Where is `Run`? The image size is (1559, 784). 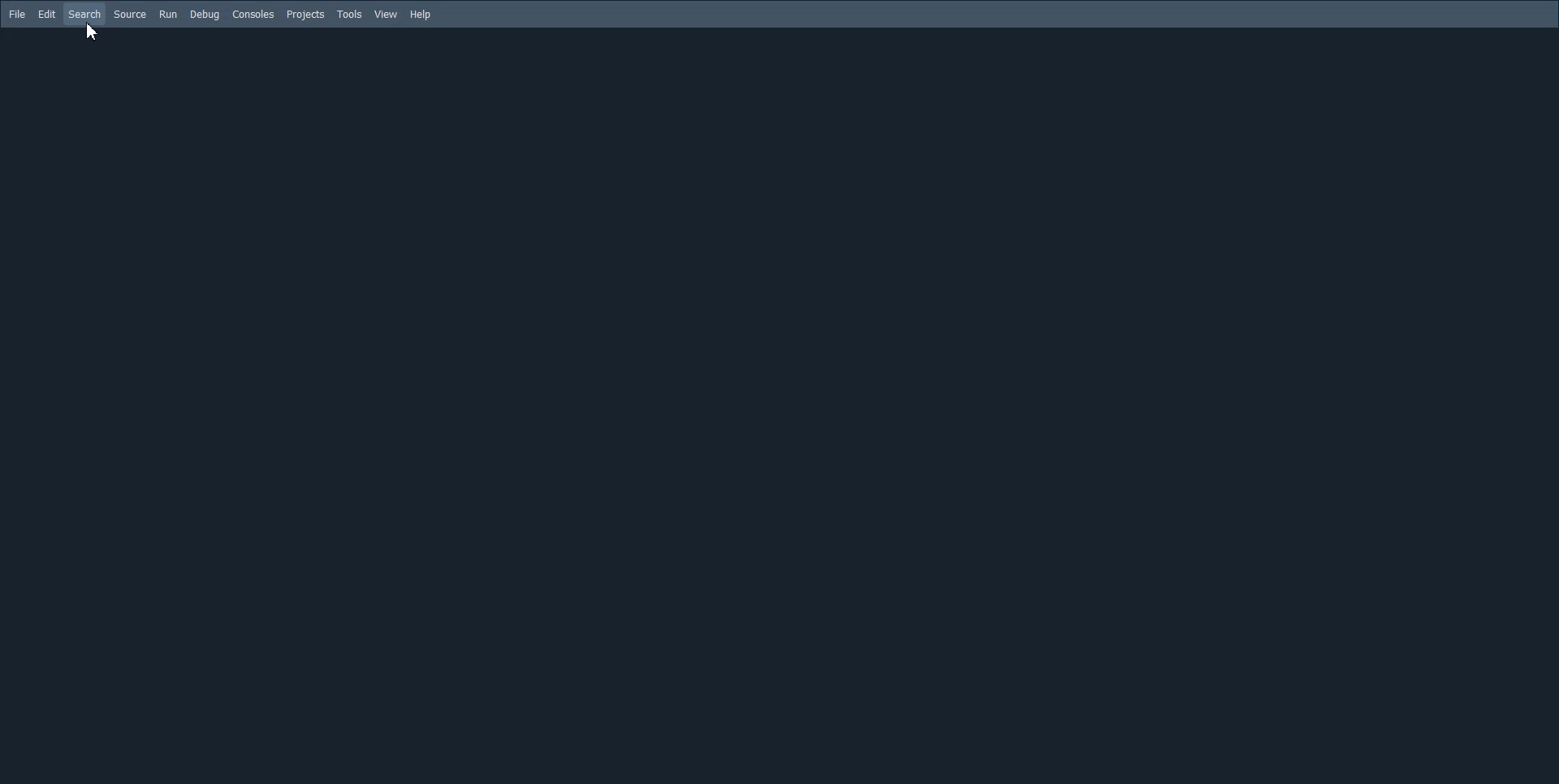 Run is located at coordinates (168, 15).